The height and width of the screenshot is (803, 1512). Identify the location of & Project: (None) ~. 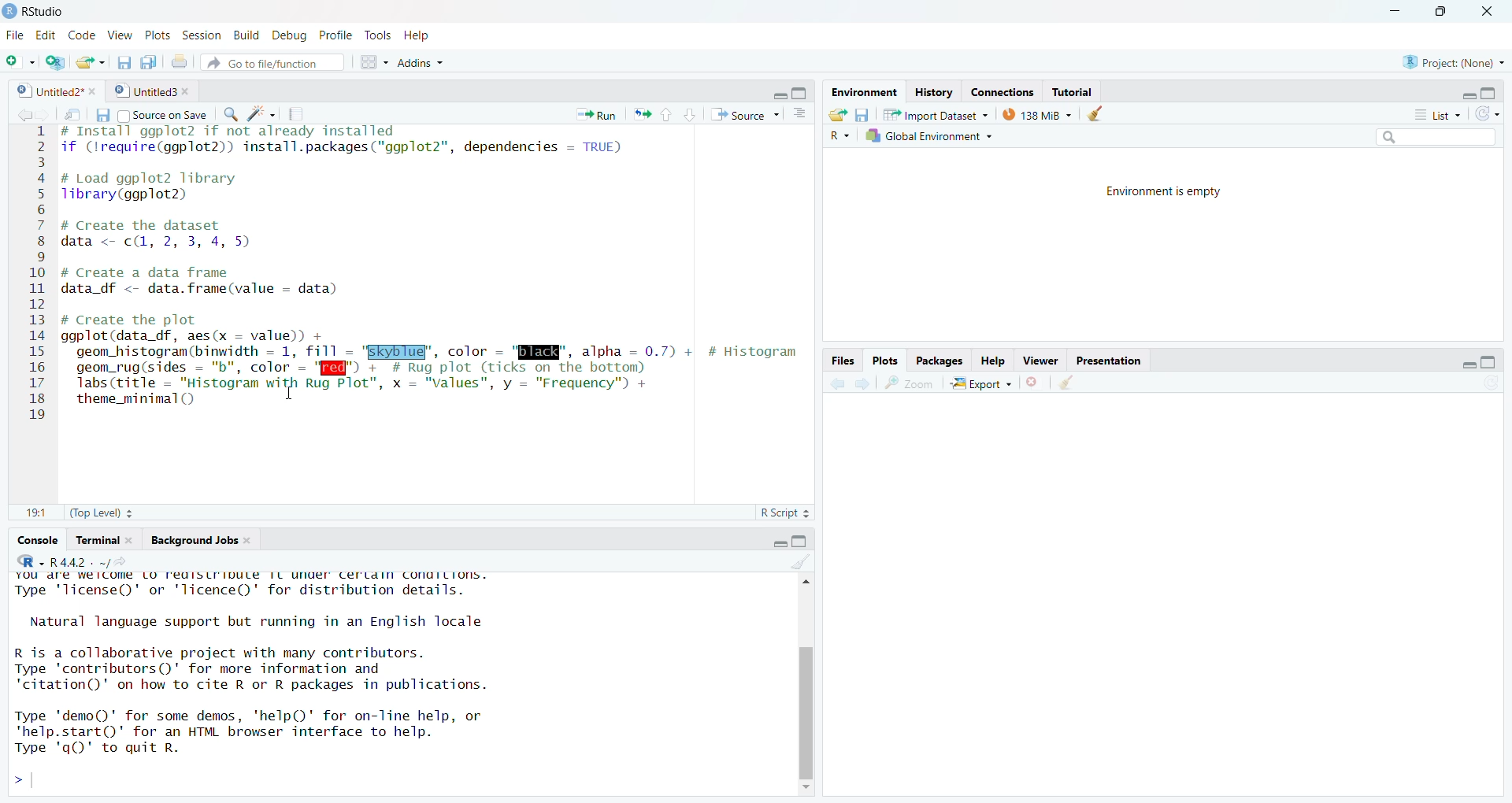
(1451, 58).